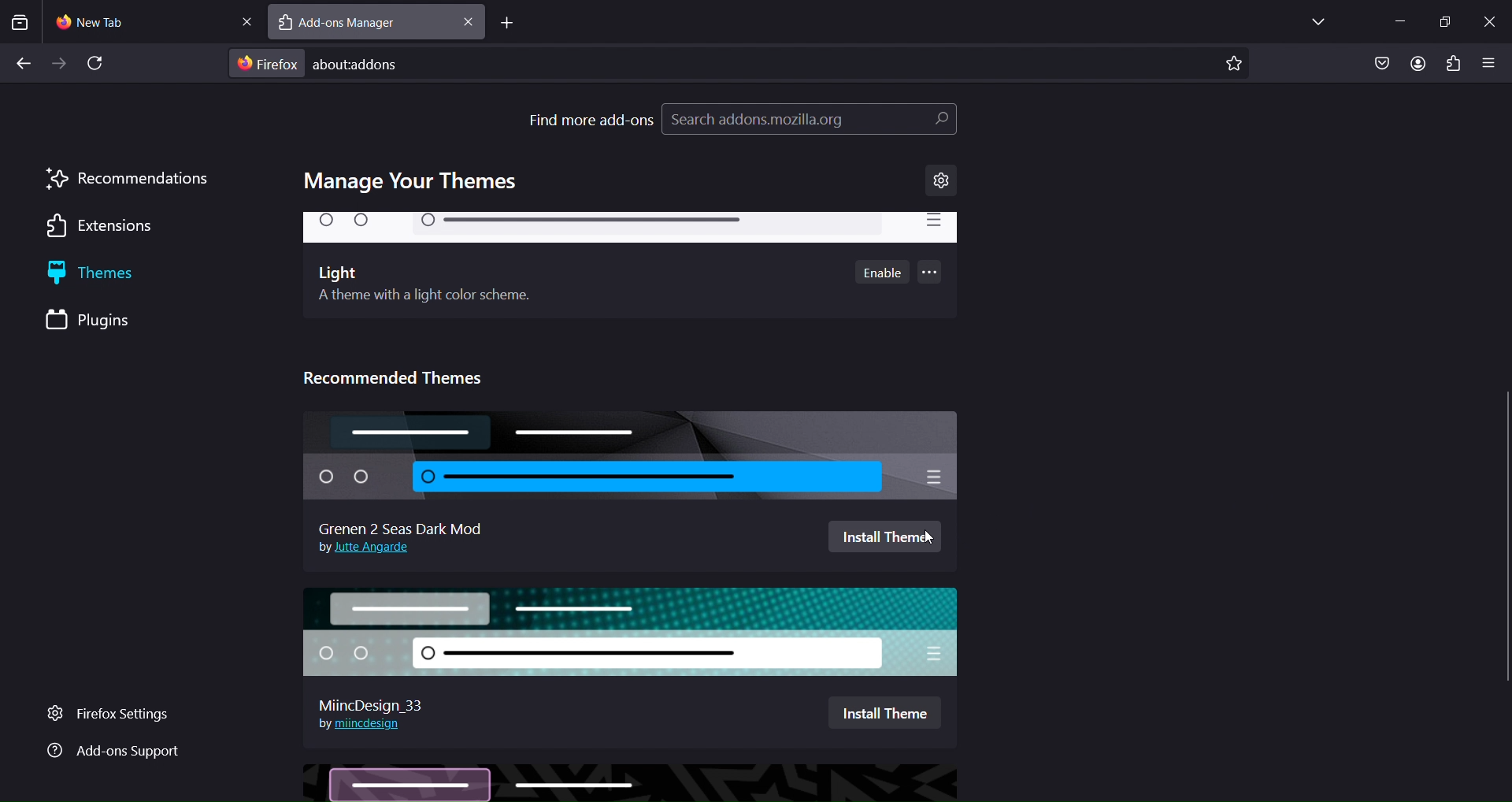  Describe the element at coordinates (1503, 269) in the screenshot. I see `scrollbar` at that location.